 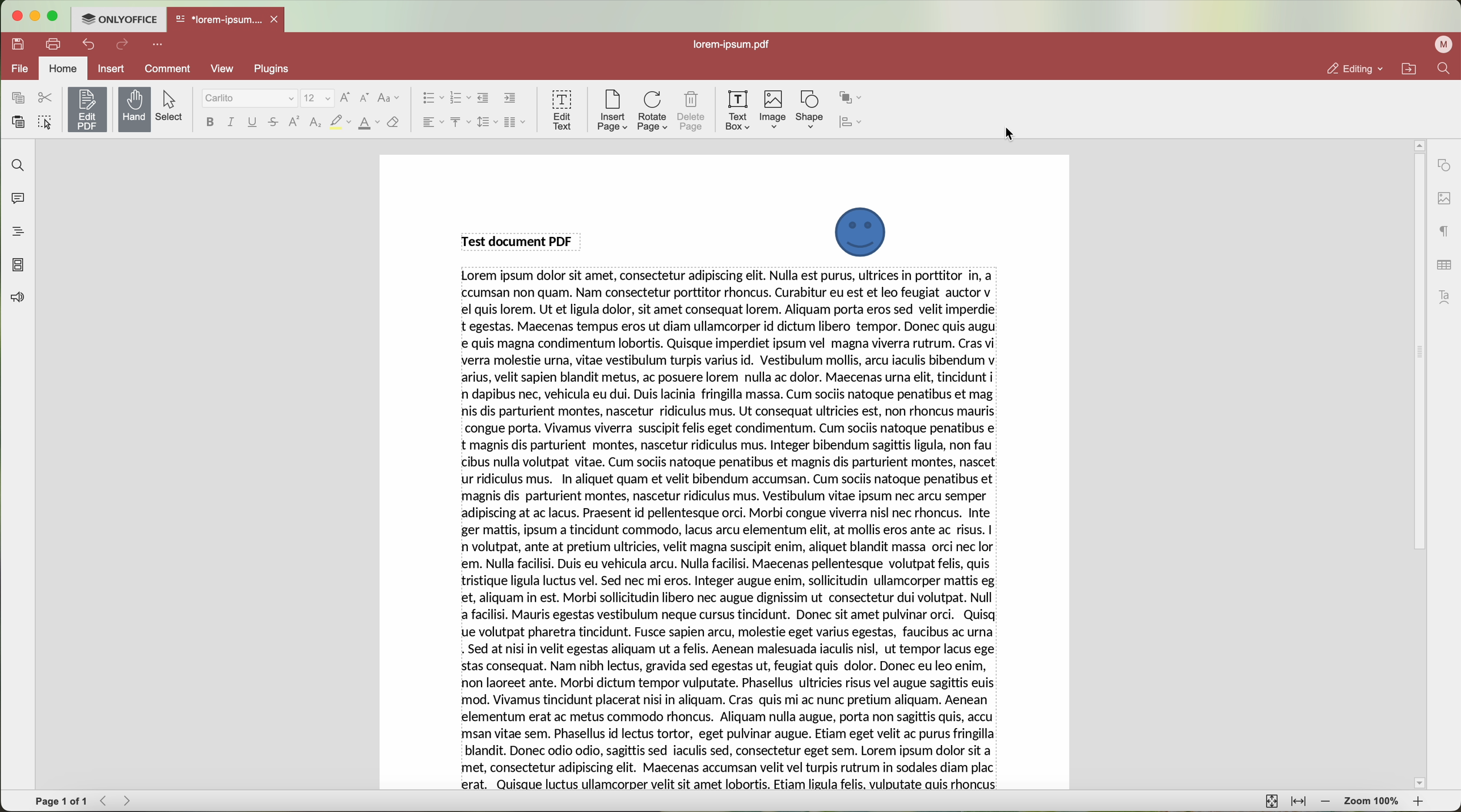 I want to click on shape settings, so click(x=1444, y=165).